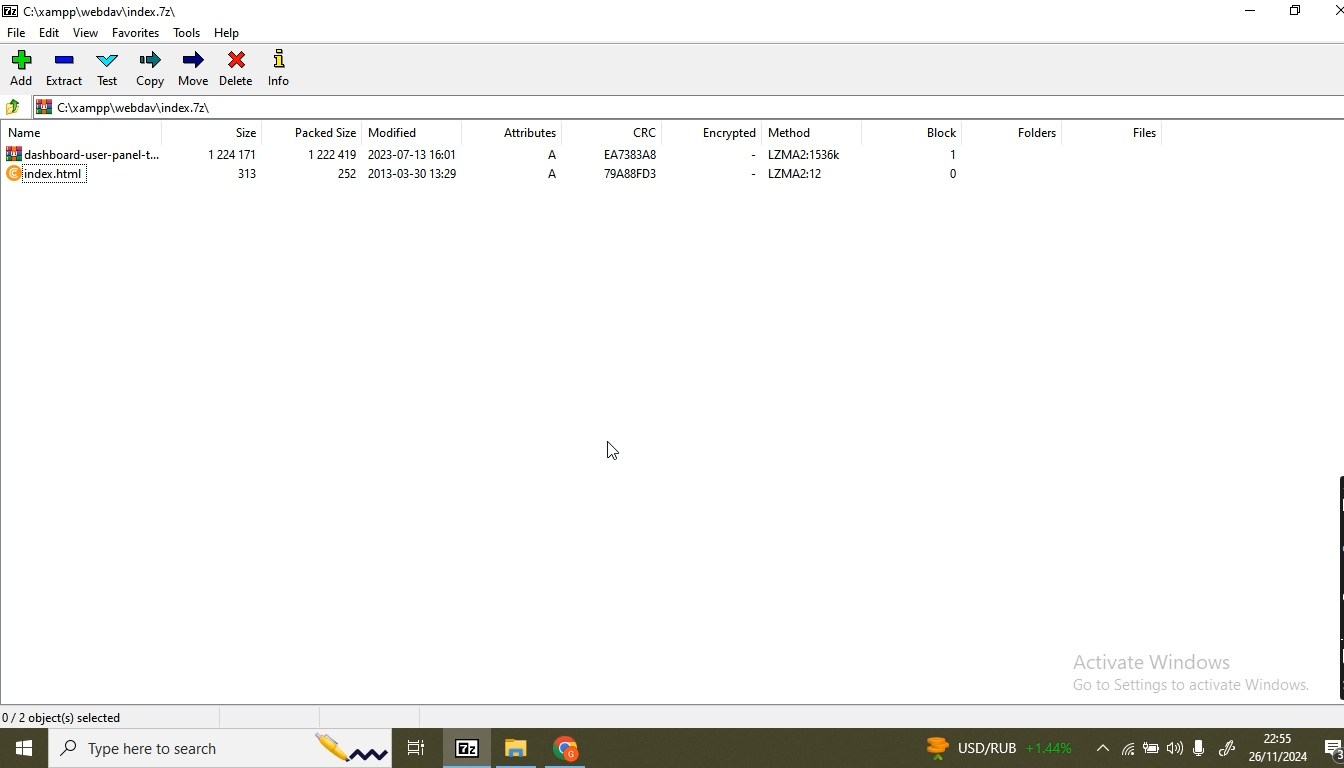  I want to click on file path, so click(688, 103).